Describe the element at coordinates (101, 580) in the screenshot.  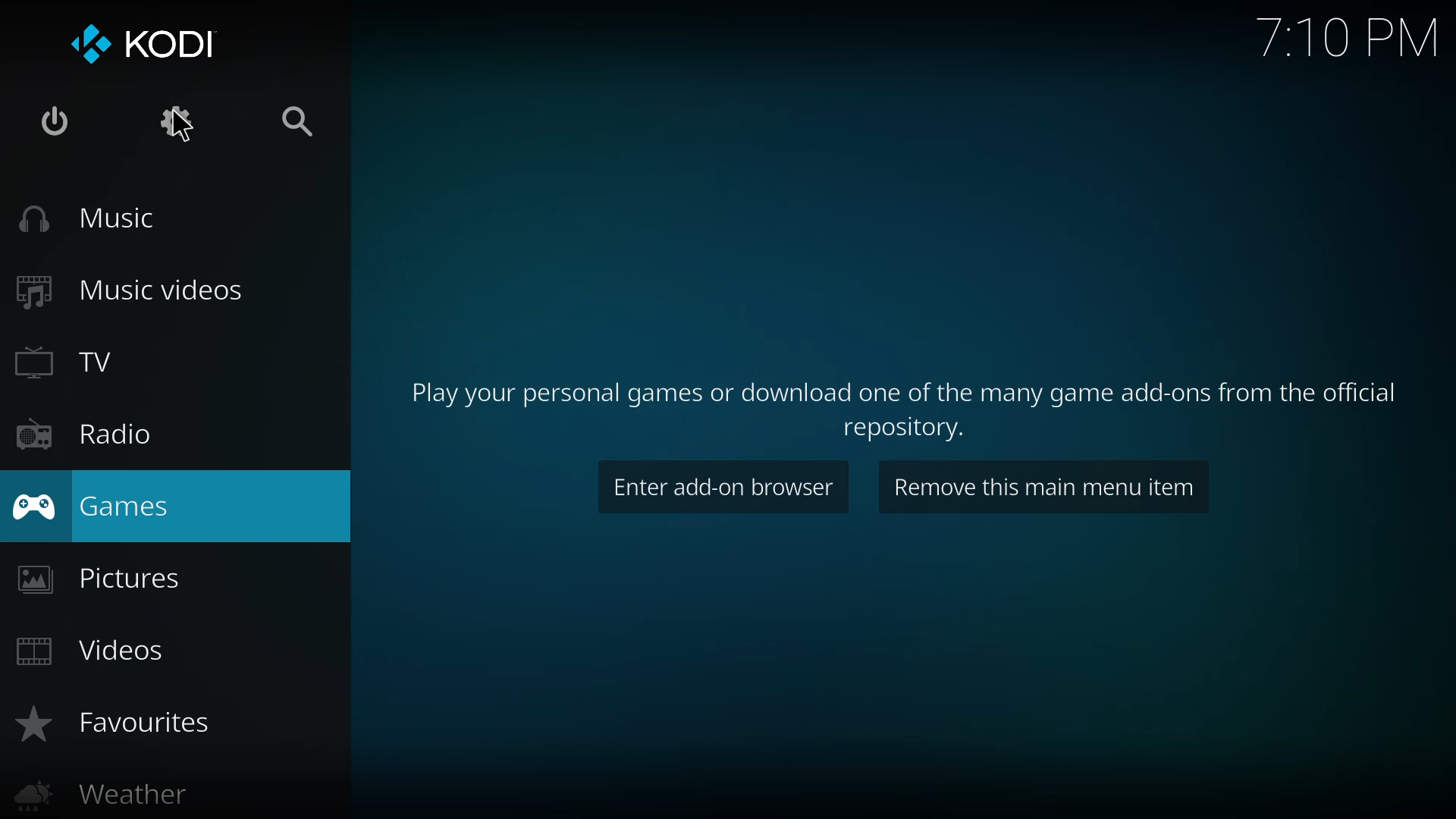
I see `pictures` at that location.